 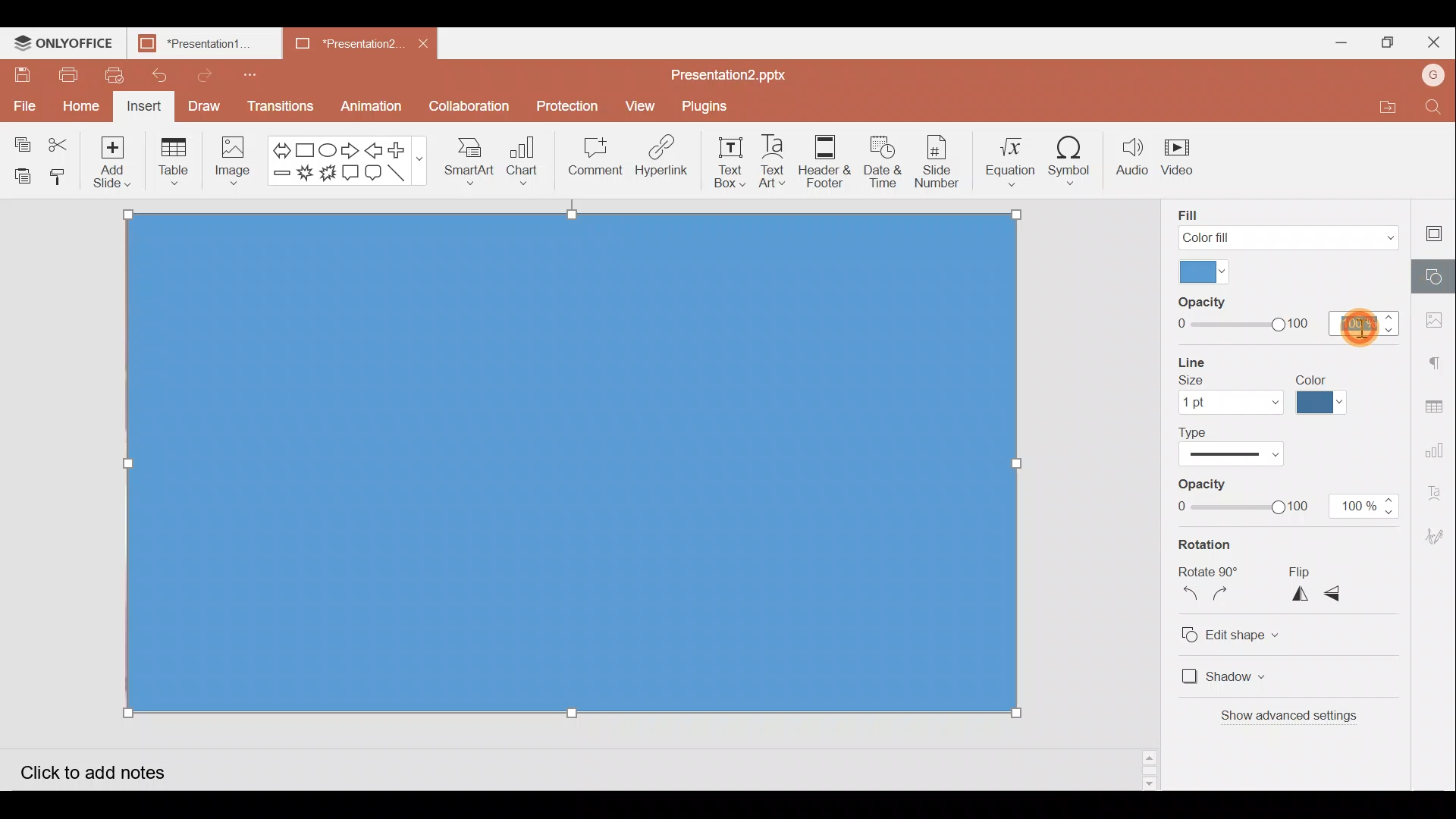 I want to click on Rotate 90, so click(x=1210, y=572).